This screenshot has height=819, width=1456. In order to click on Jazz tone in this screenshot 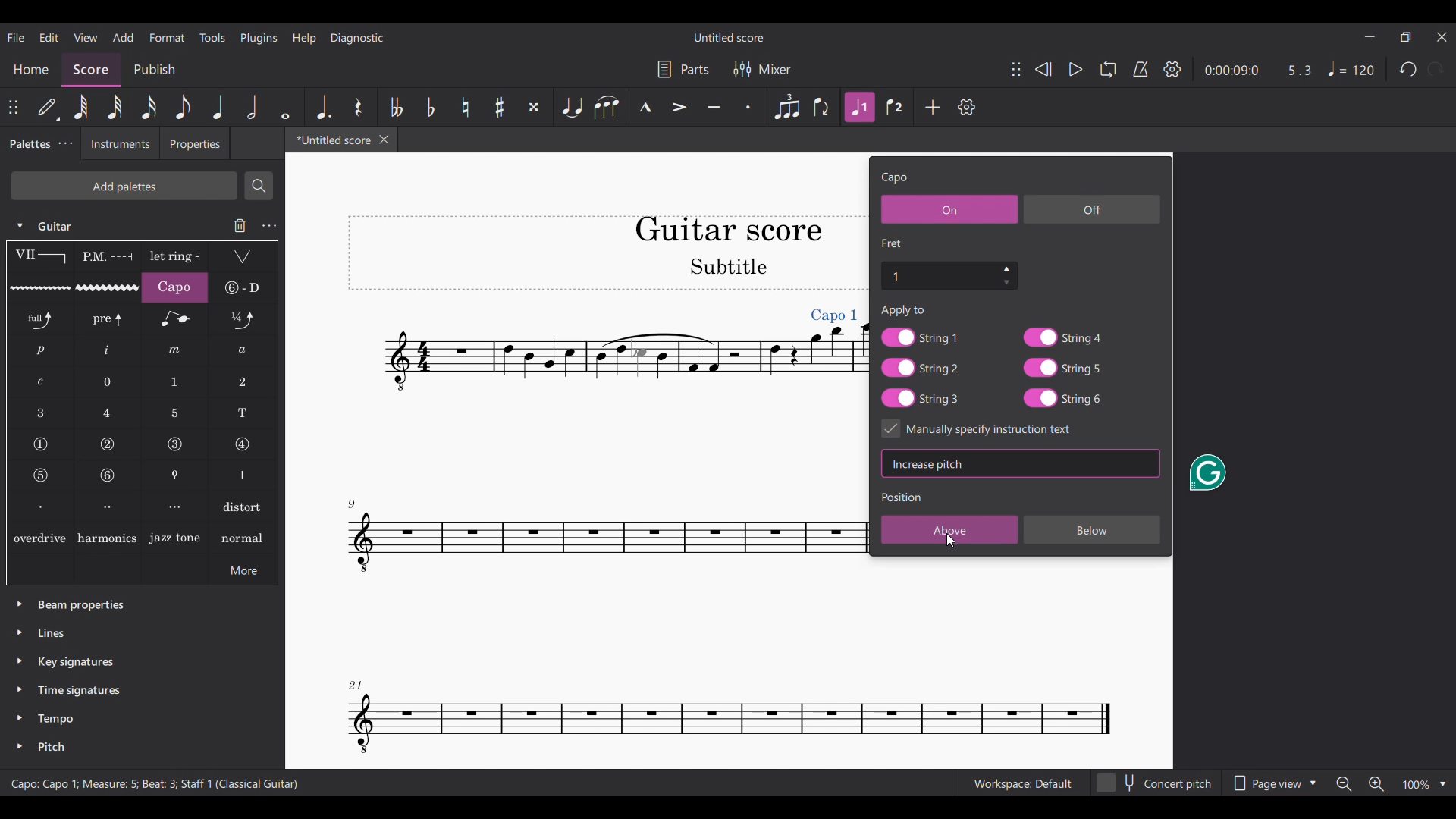, I will do `click(175, 537)`.